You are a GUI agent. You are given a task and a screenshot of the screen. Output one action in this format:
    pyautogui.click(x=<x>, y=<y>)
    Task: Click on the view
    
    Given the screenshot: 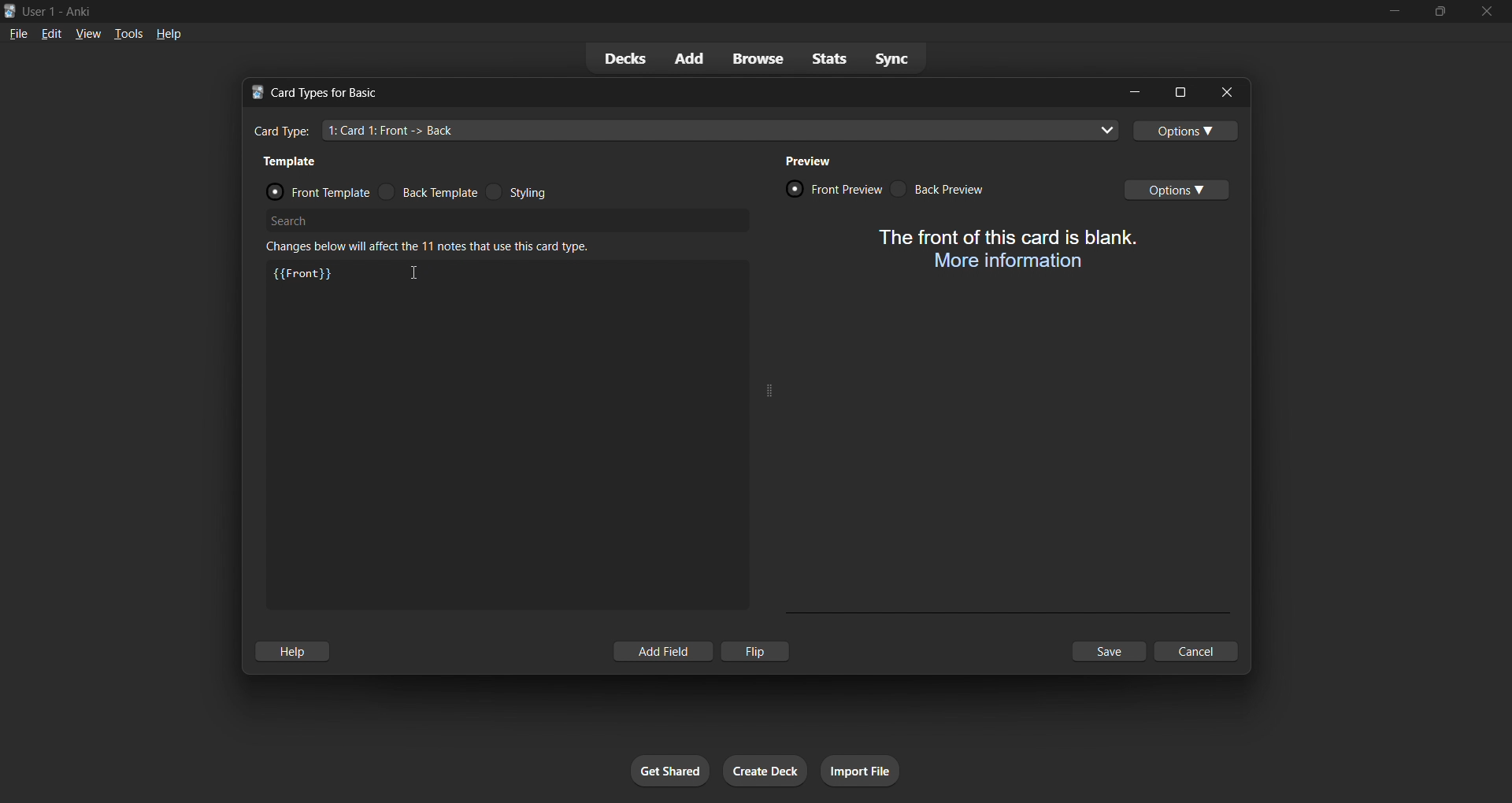 What is the action you would take?
    pyautogui.click(x=85, y=33)
    